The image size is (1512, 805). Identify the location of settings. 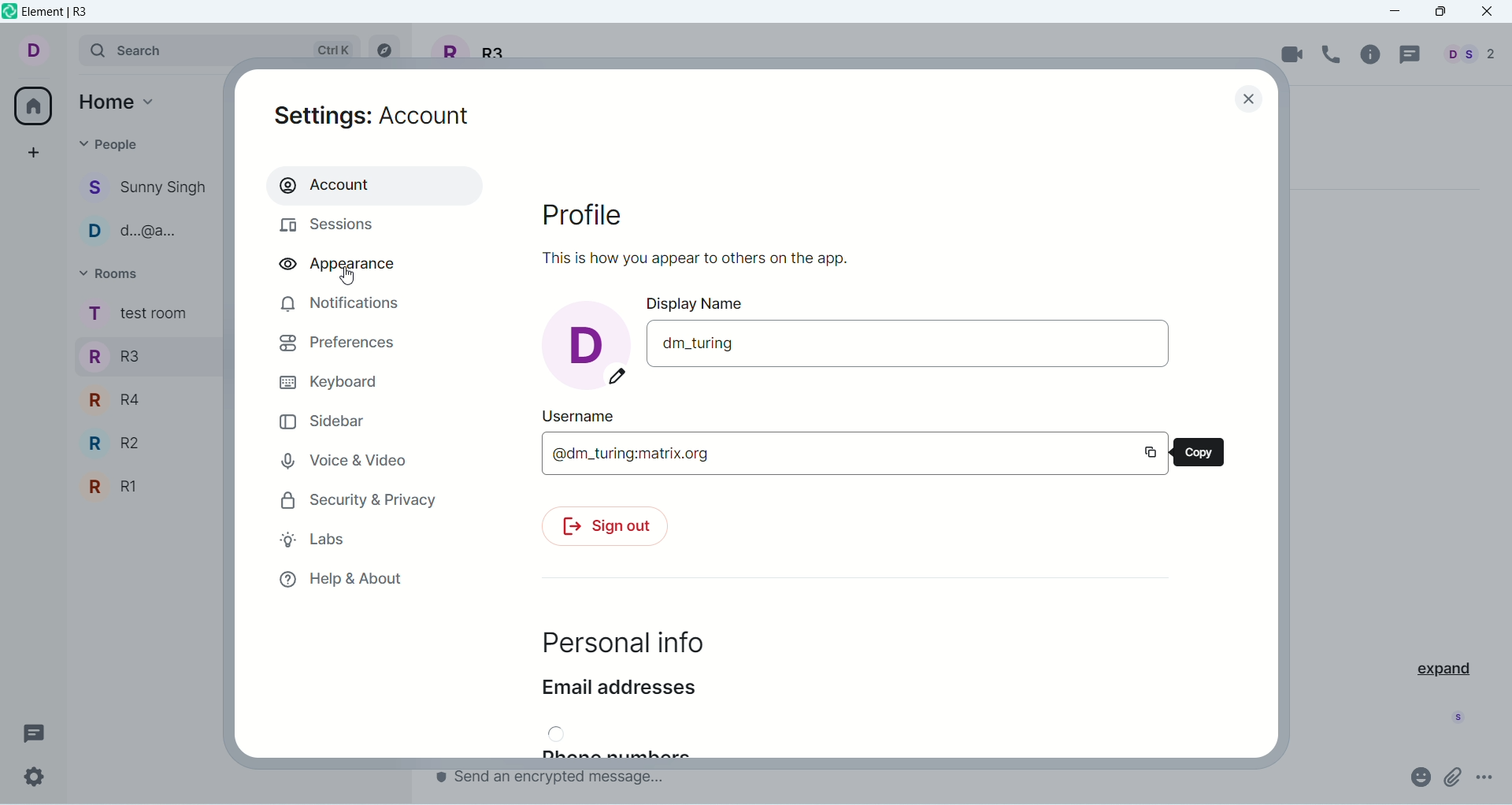
(376, 118).